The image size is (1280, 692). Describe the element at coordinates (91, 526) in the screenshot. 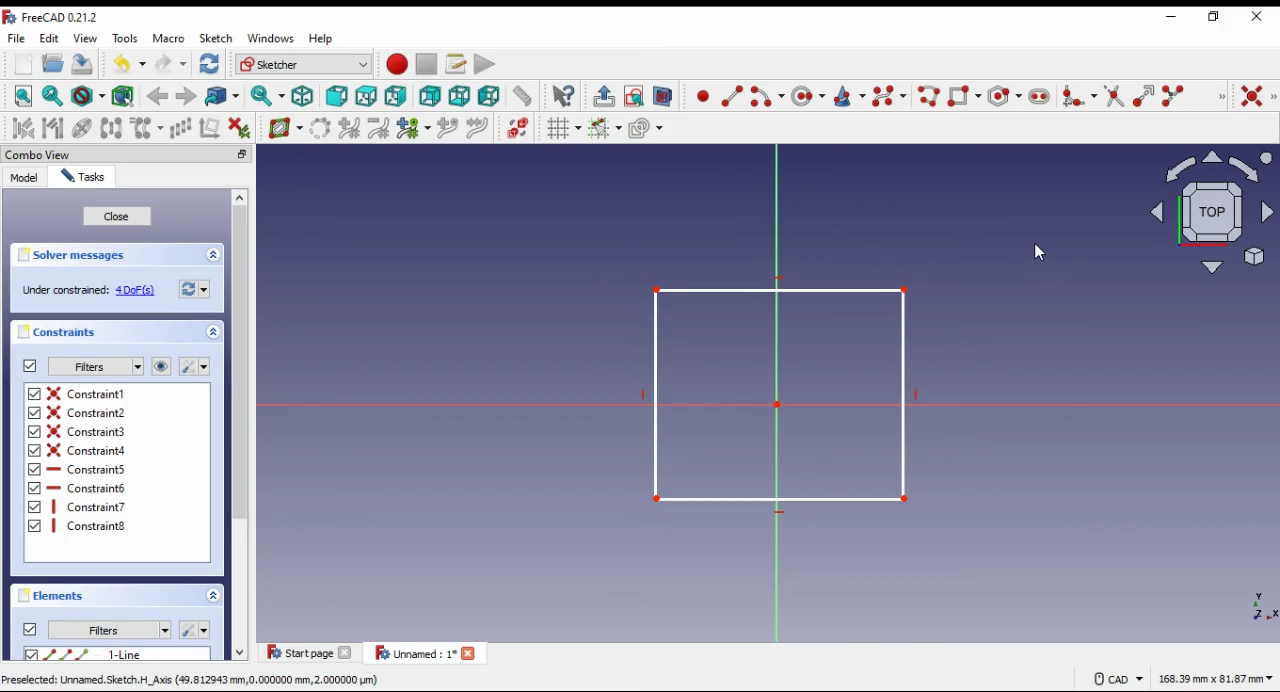

I see `Constraint` at that location.